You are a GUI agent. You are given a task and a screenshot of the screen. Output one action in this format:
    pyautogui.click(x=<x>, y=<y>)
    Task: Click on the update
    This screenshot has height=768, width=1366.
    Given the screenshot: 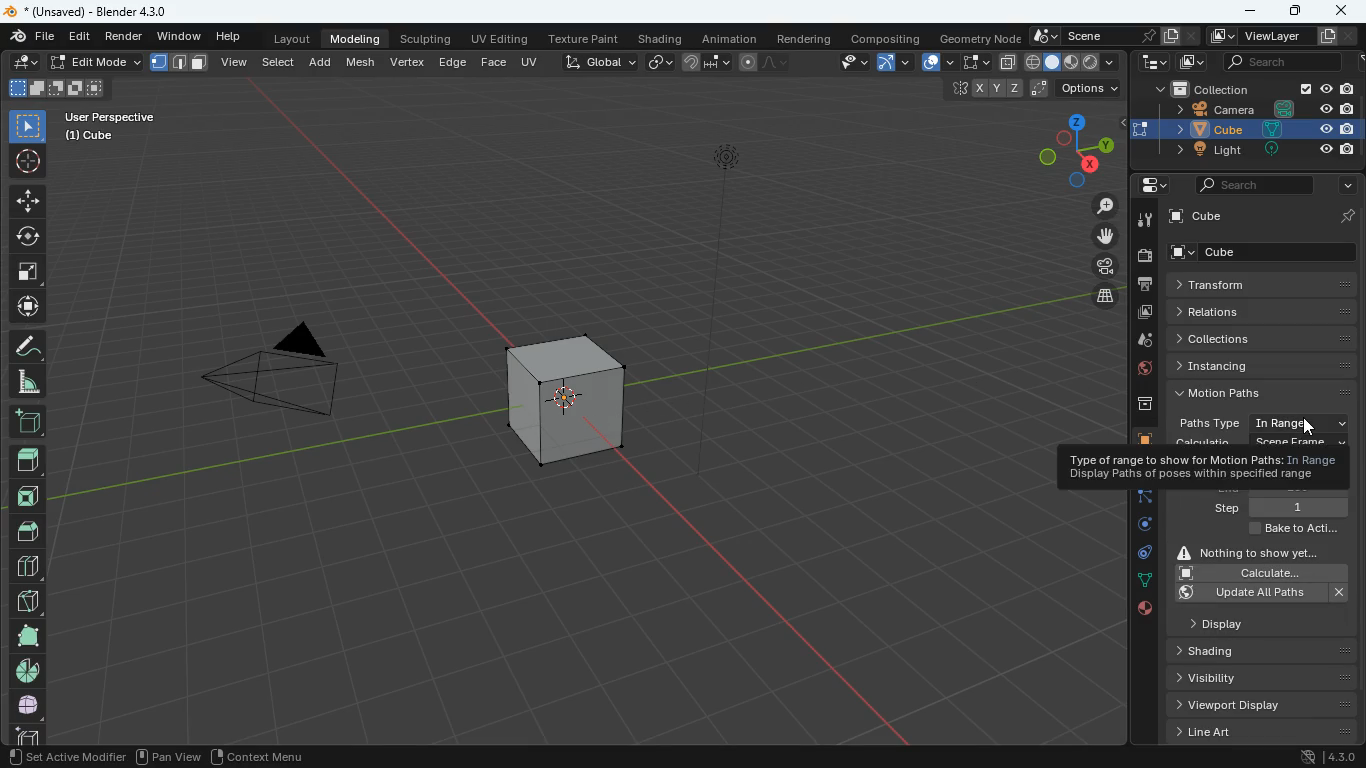 What is the action you would take?
    pyautogui.click(x=1264, y=593)
    